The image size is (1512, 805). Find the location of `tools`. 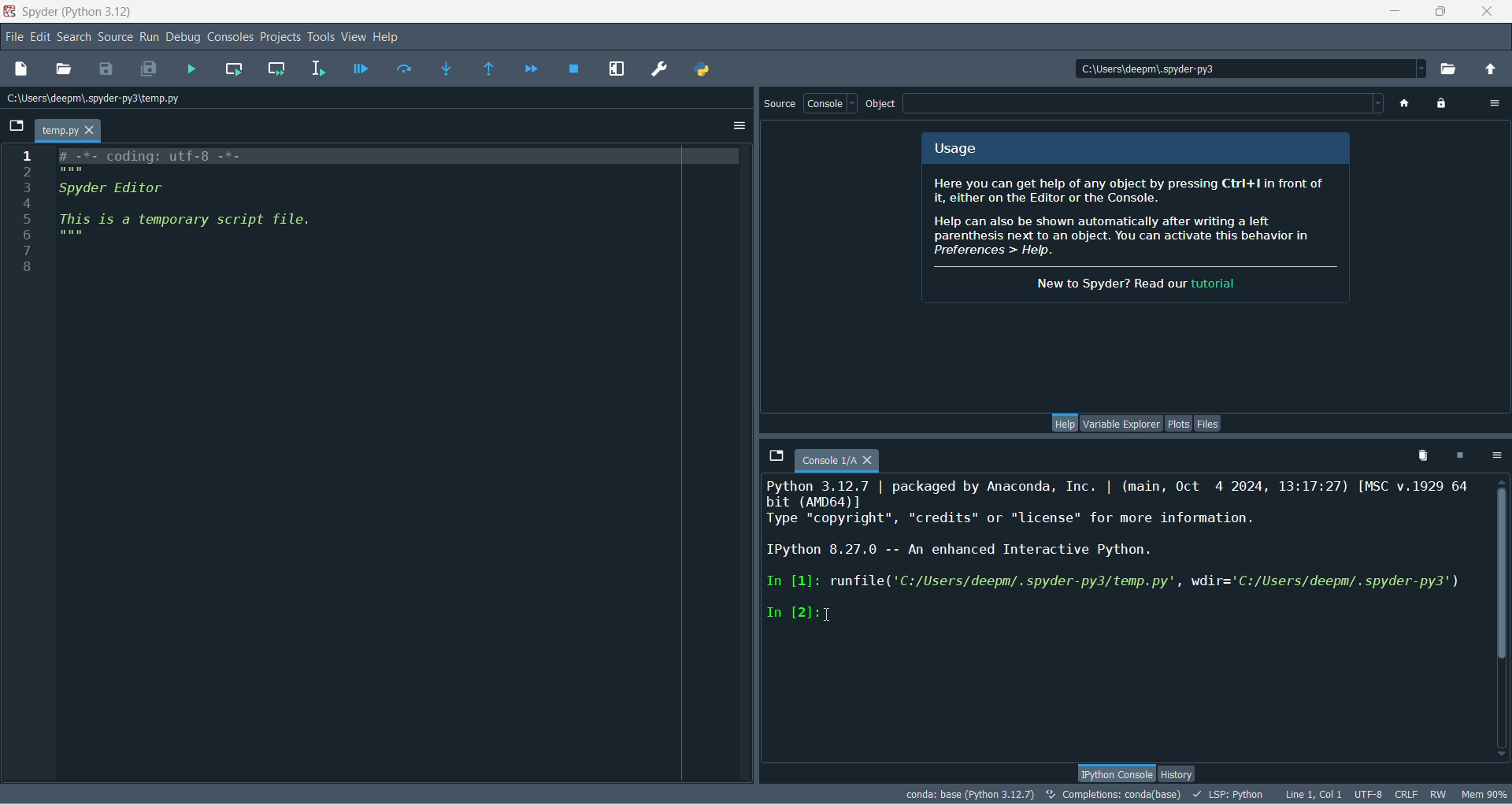

tools is located at coordinates (321, 37).